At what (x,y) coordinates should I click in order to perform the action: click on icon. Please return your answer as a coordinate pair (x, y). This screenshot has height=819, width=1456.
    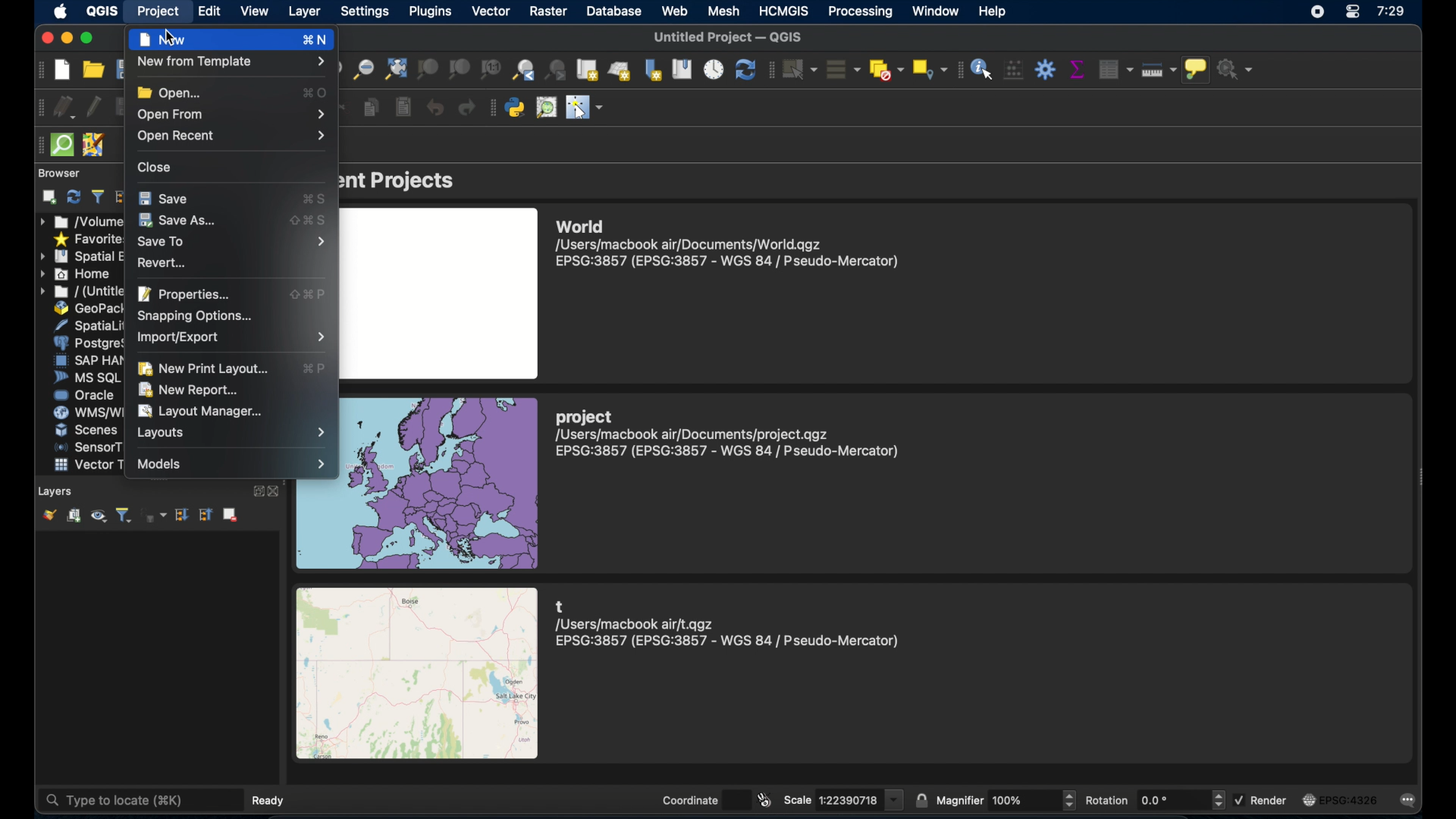
    Looking at the image, I should click on (61, 324).